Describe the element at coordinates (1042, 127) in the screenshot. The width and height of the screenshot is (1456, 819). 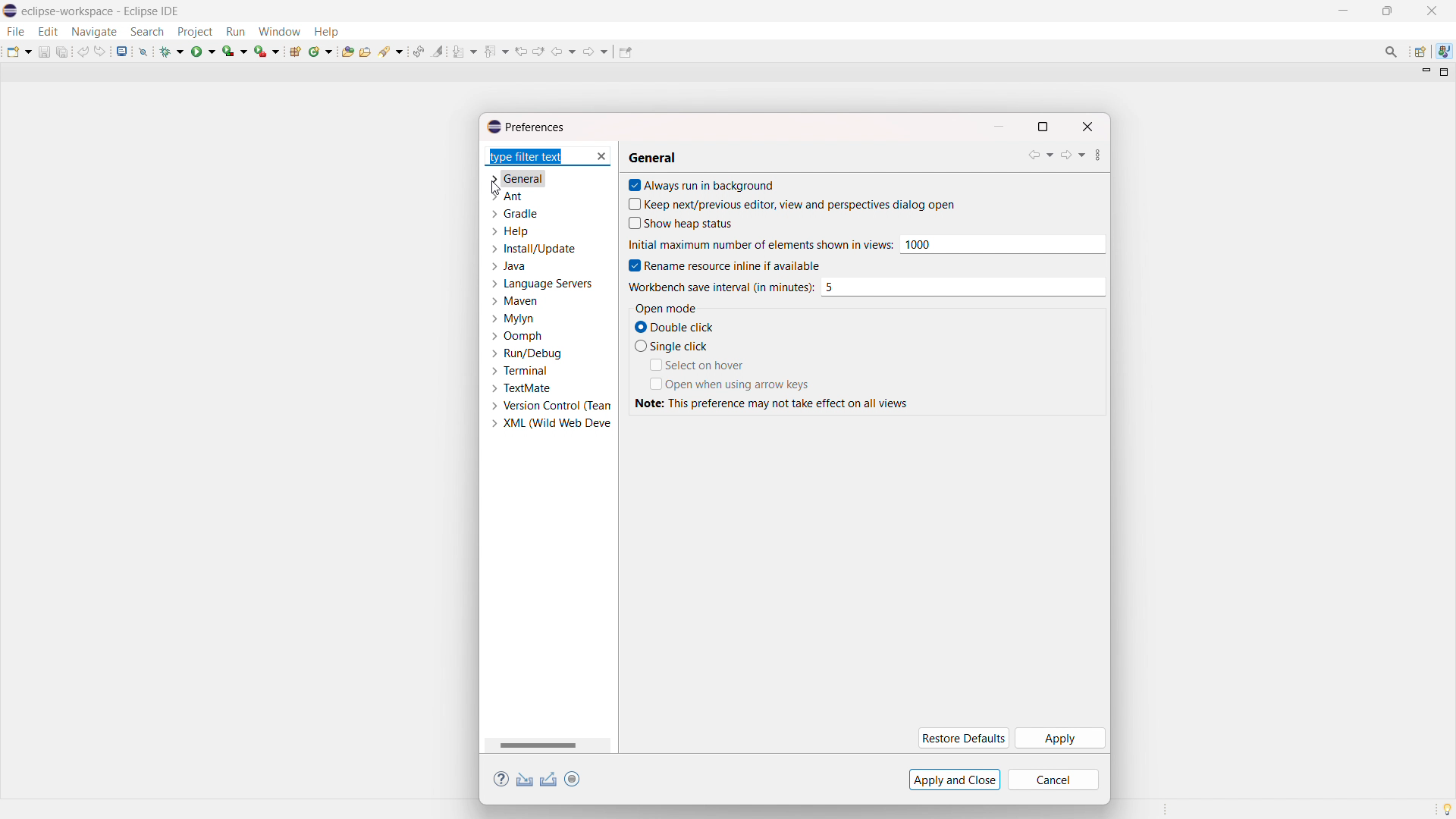
I see `maximize dialogbox` at that location.